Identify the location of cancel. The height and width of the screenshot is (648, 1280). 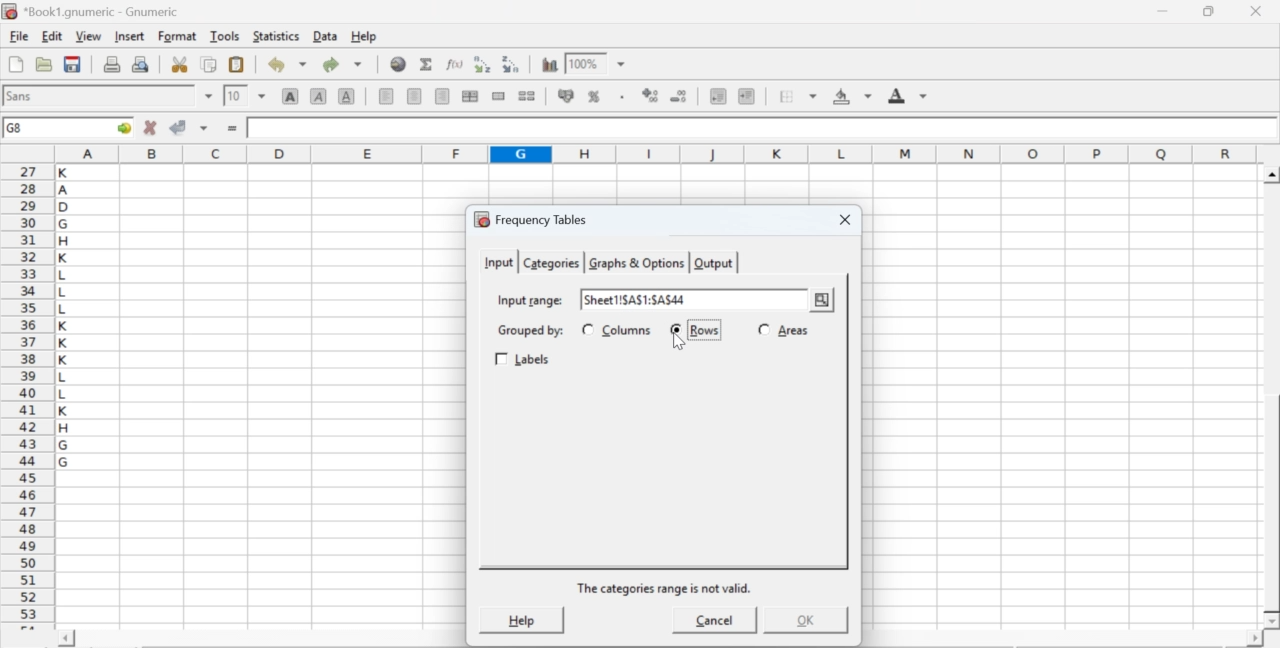
(715, 623).